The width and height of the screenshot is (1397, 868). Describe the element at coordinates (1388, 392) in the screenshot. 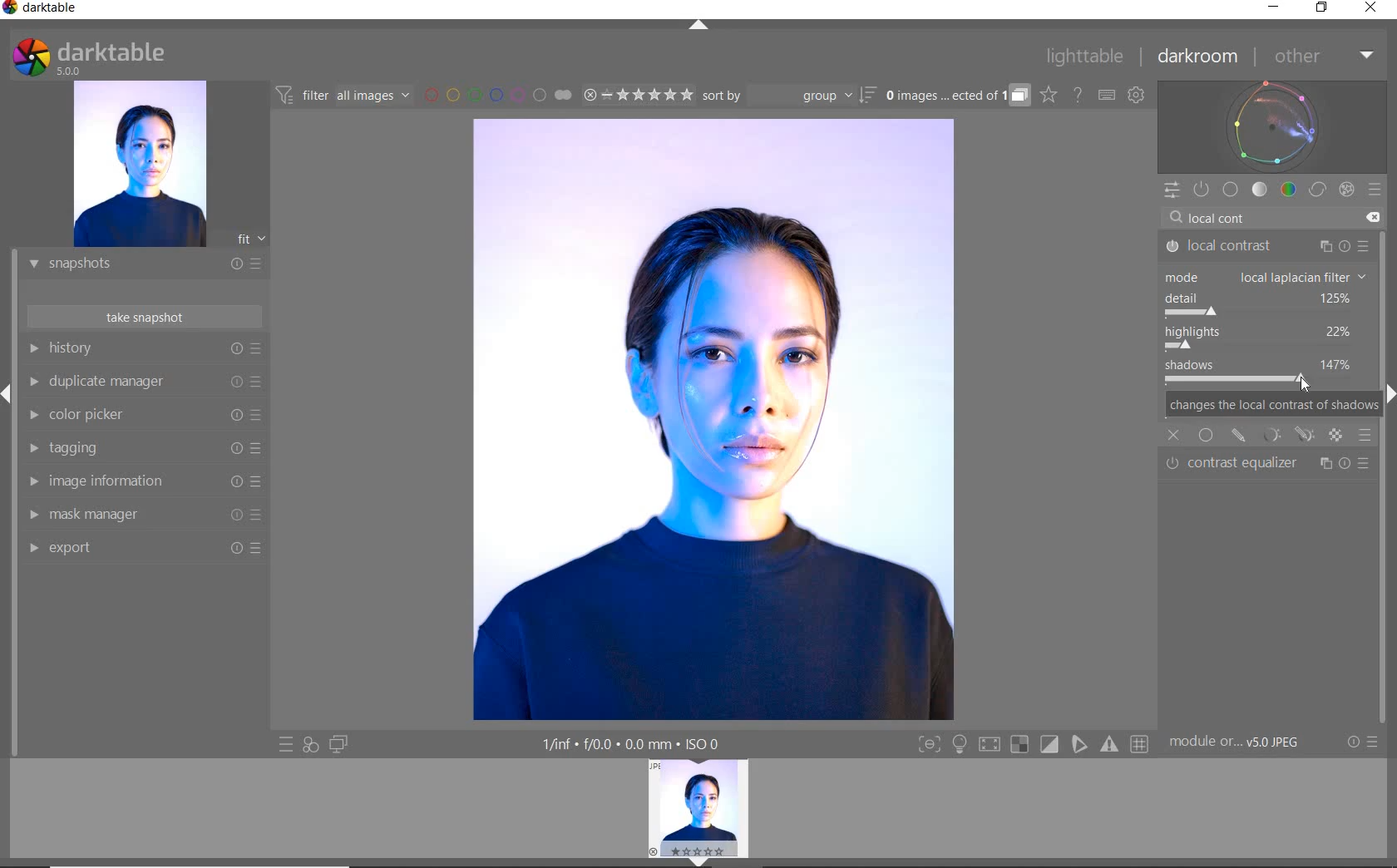

I see `Expand/Collapse` at that location.